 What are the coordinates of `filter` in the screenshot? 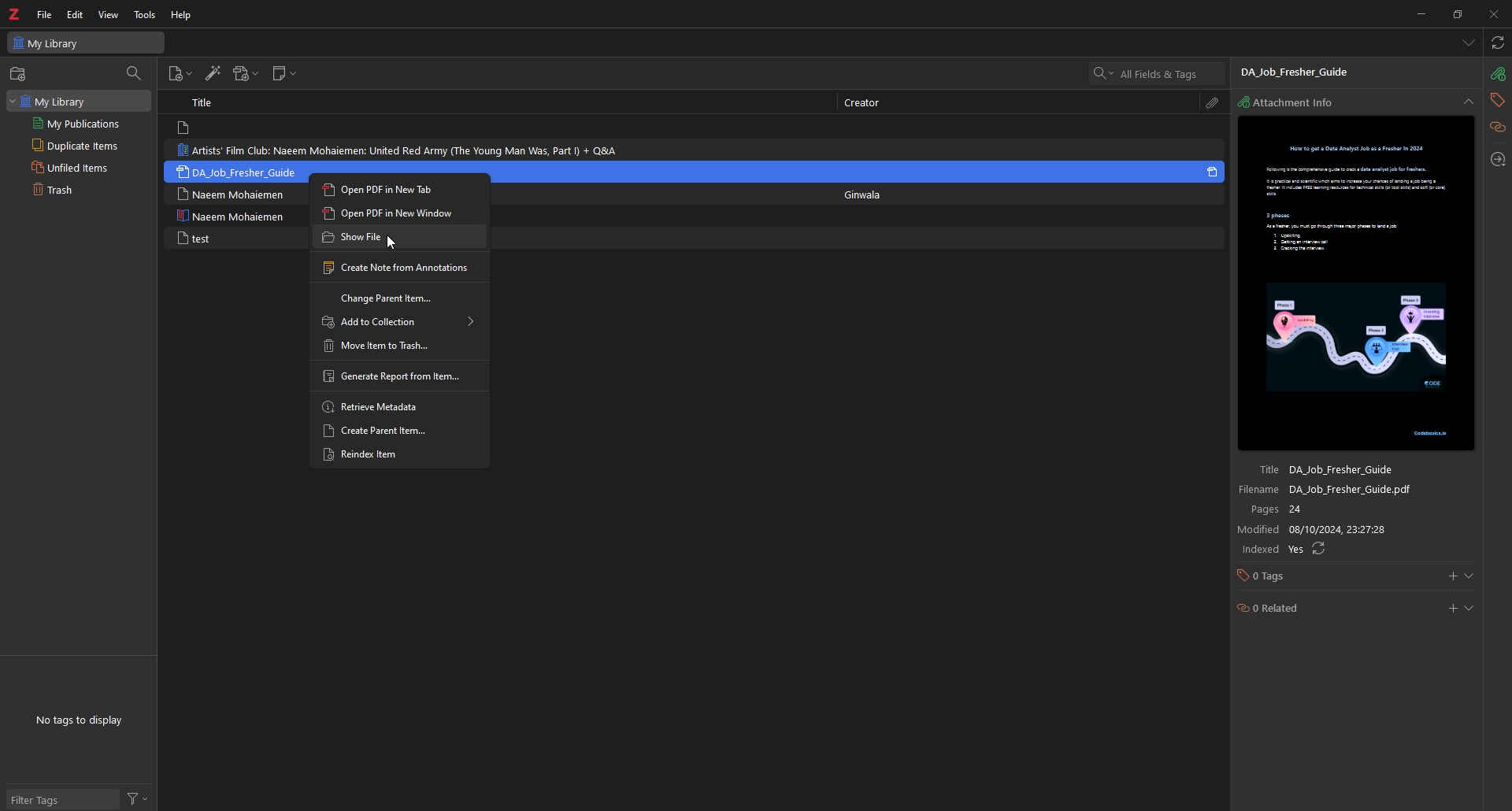 It's located at (141, 799).